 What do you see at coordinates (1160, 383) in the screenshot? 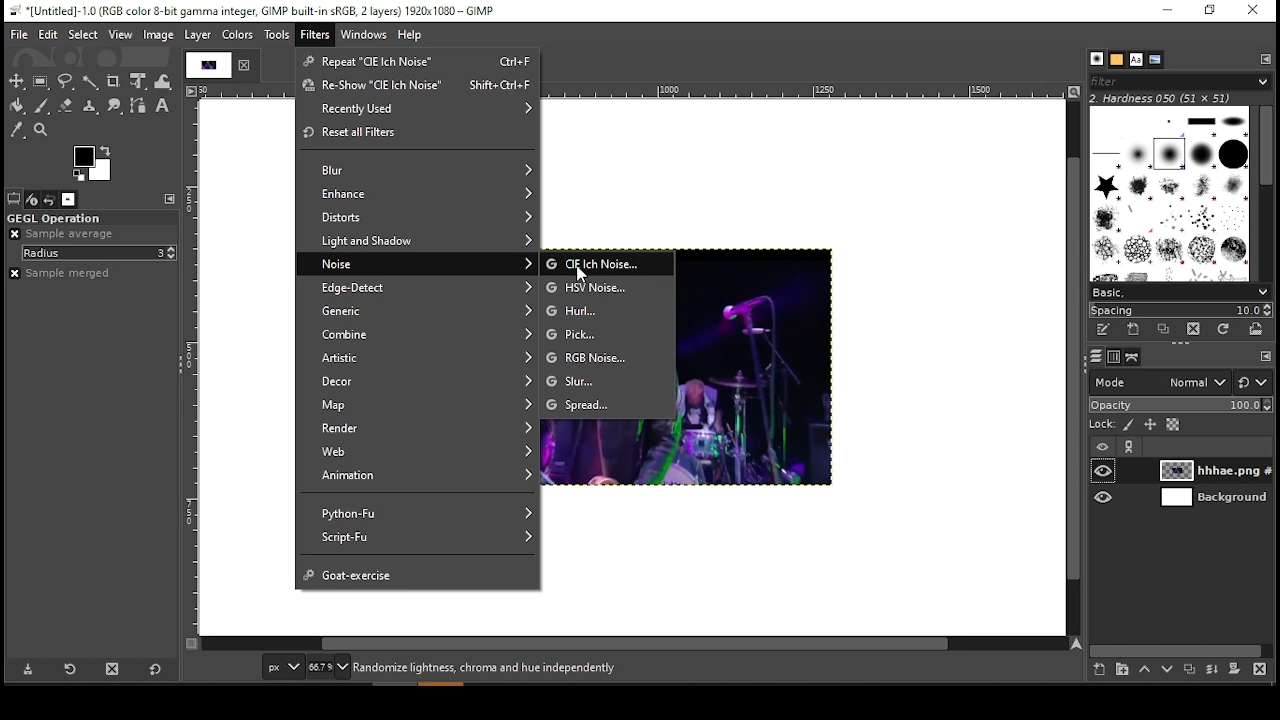
I see `mode` at bounding box center [1160, 383].